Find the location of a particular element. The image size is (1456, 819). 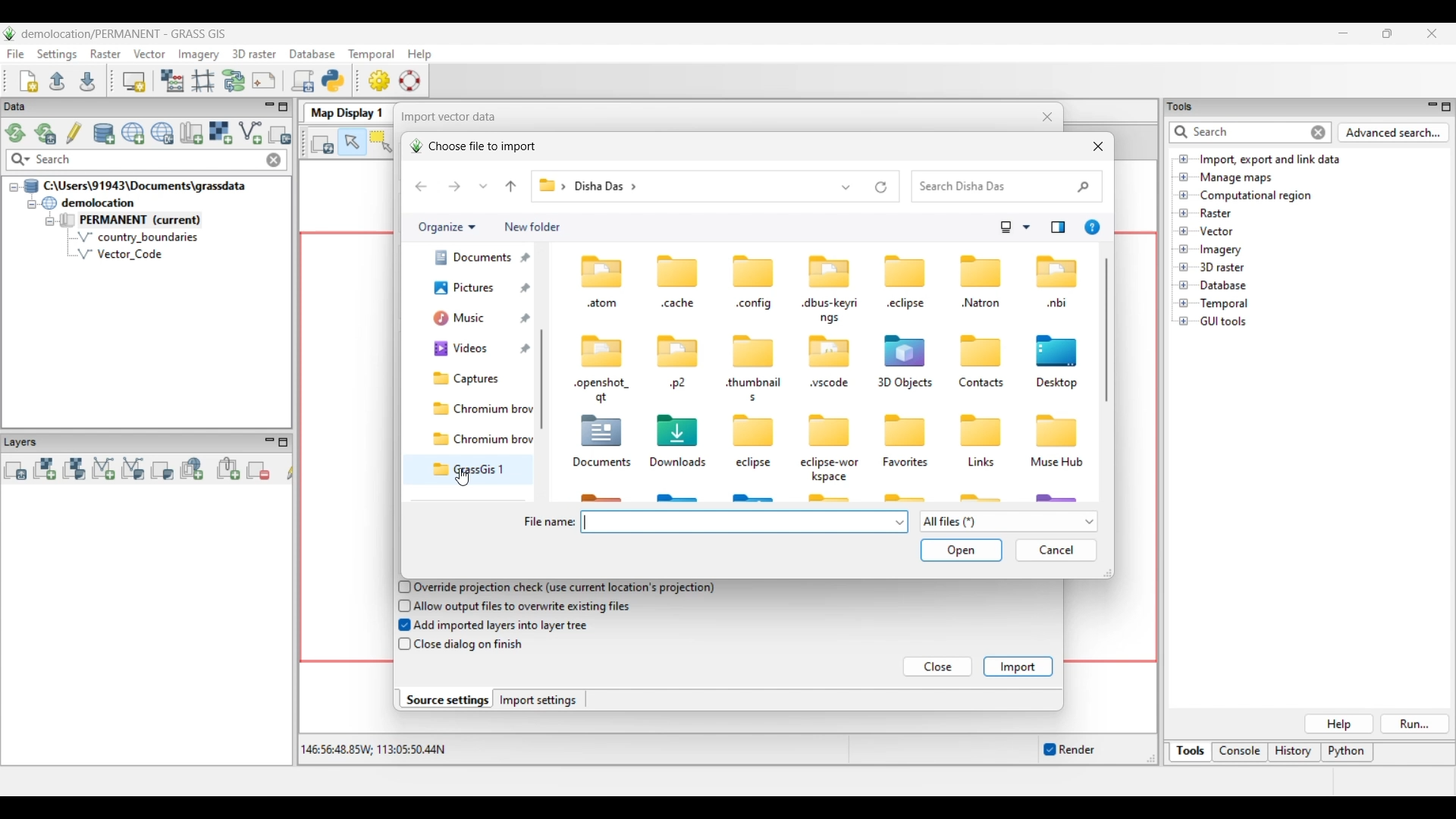

Download sample project (location) to current GRASS database is located at coordinates (162, 133).